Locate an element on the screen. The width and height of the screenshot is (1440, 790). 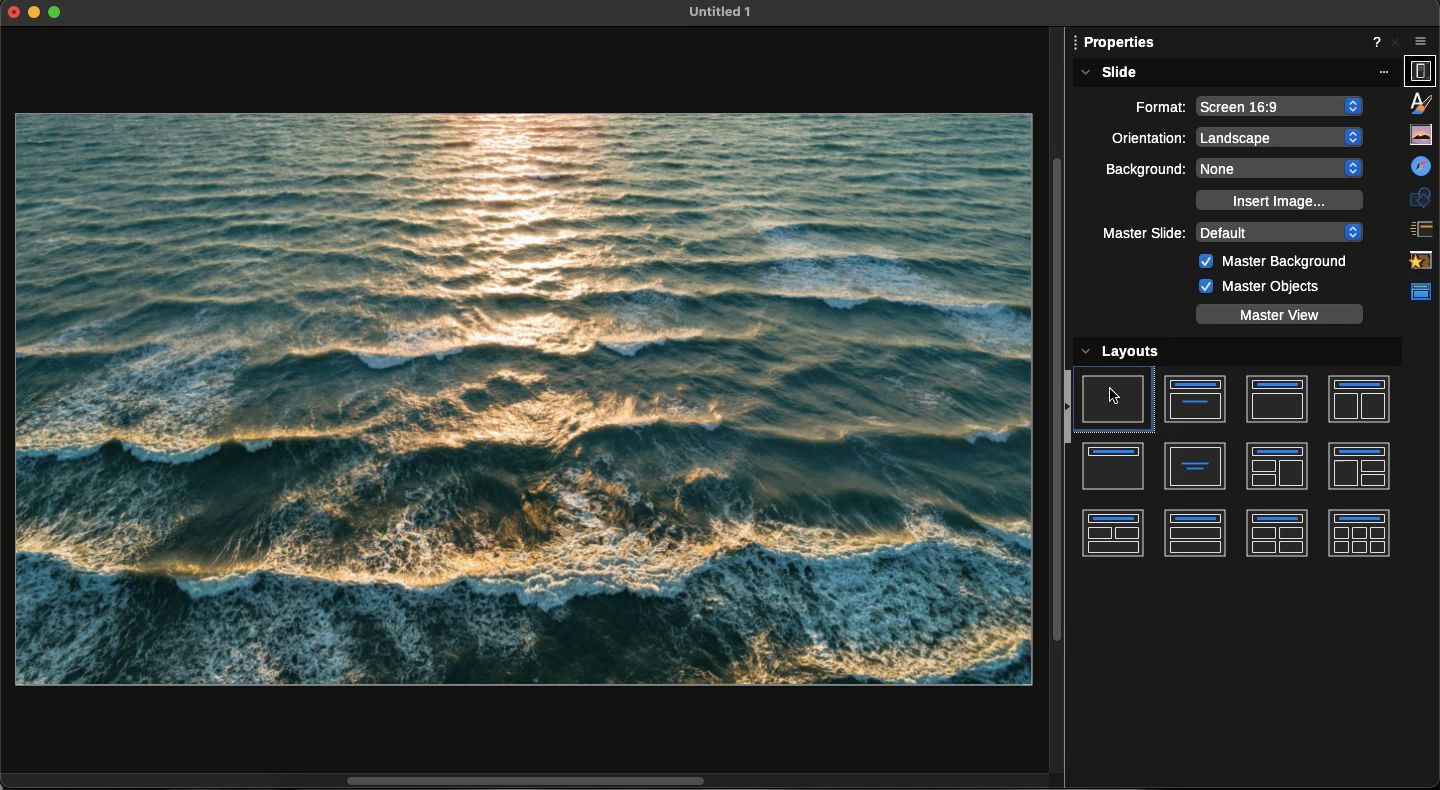
Title and three boxes is located at coordinates (1359, 466).